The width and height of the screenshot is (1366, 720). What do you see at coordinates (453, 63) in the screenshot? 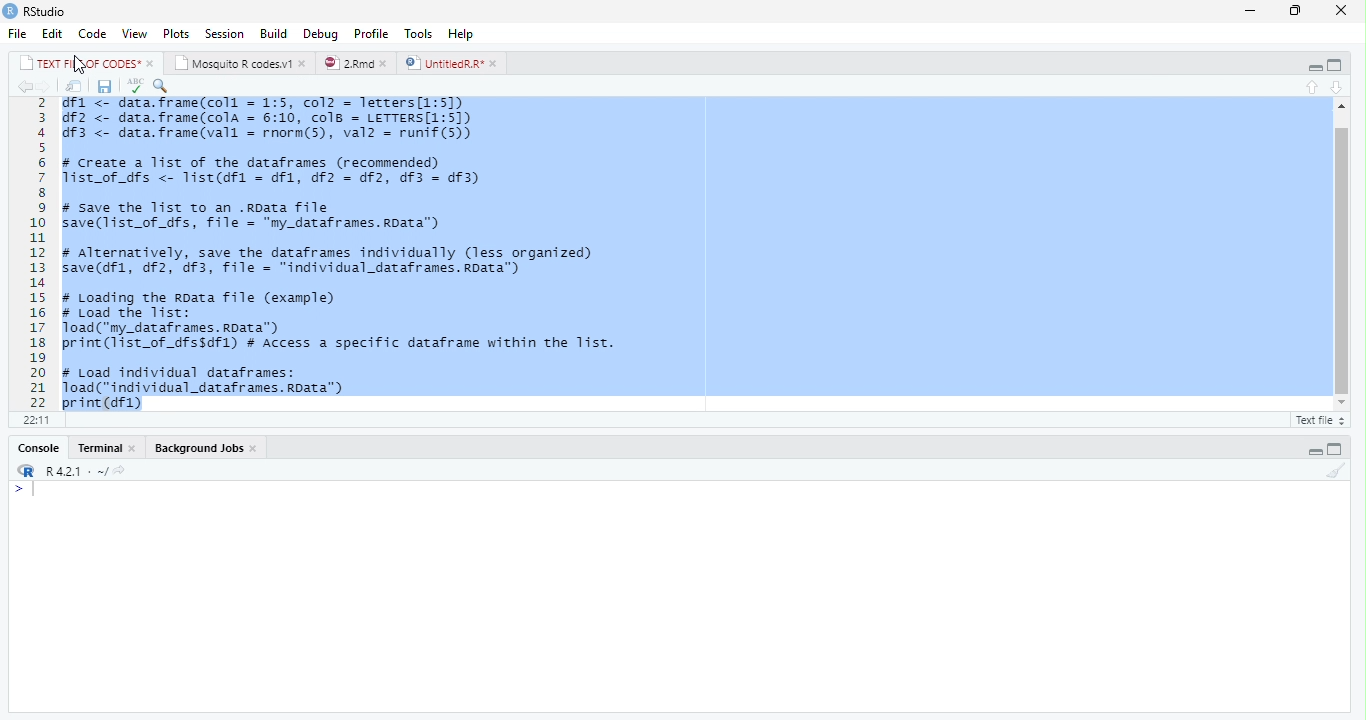
I see `UntitiedR.R` at bounding box center [453, 63].